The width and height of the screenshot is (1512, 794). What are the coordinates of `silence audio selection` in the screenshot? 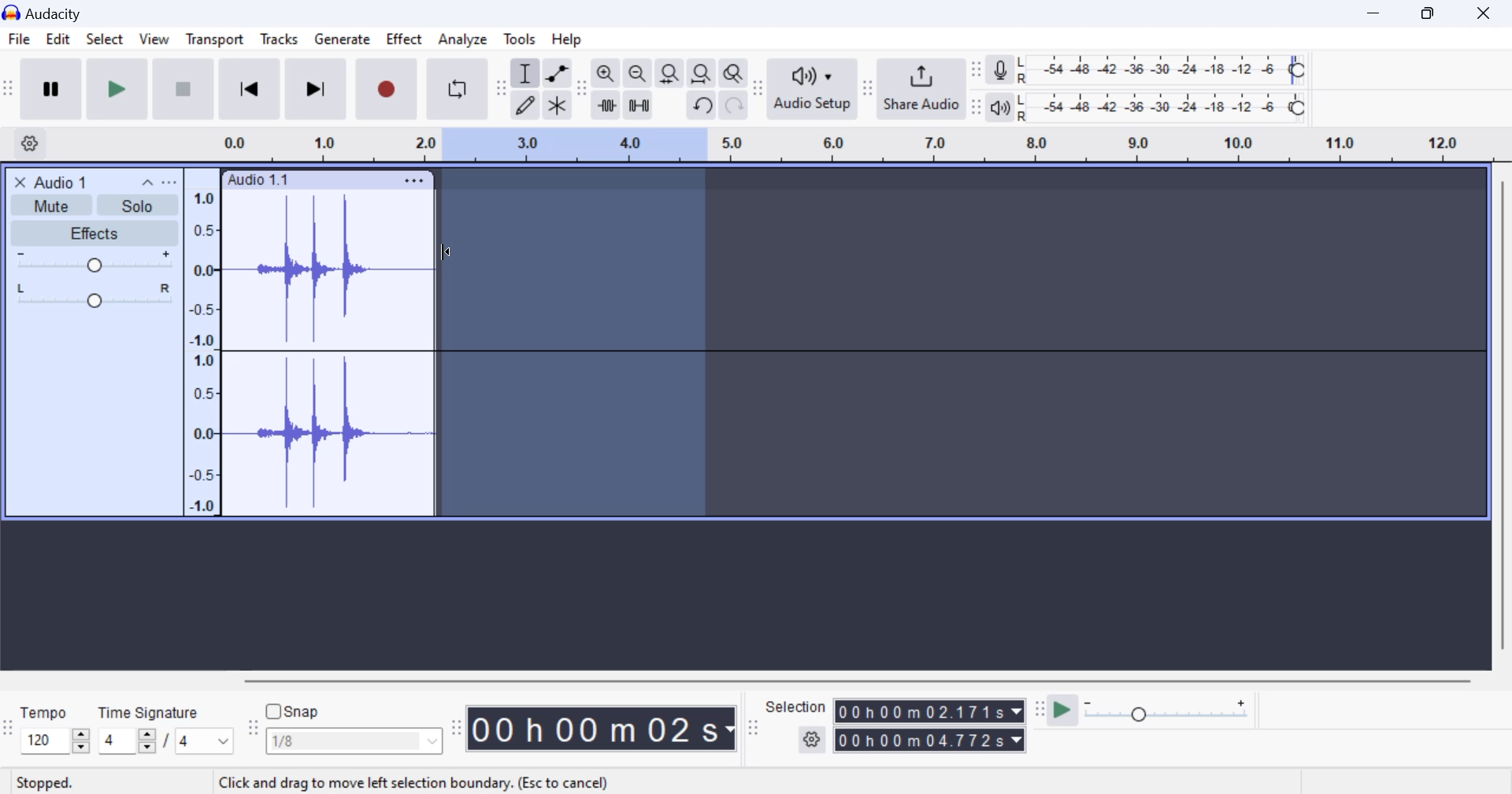 It's located at (639, 106).